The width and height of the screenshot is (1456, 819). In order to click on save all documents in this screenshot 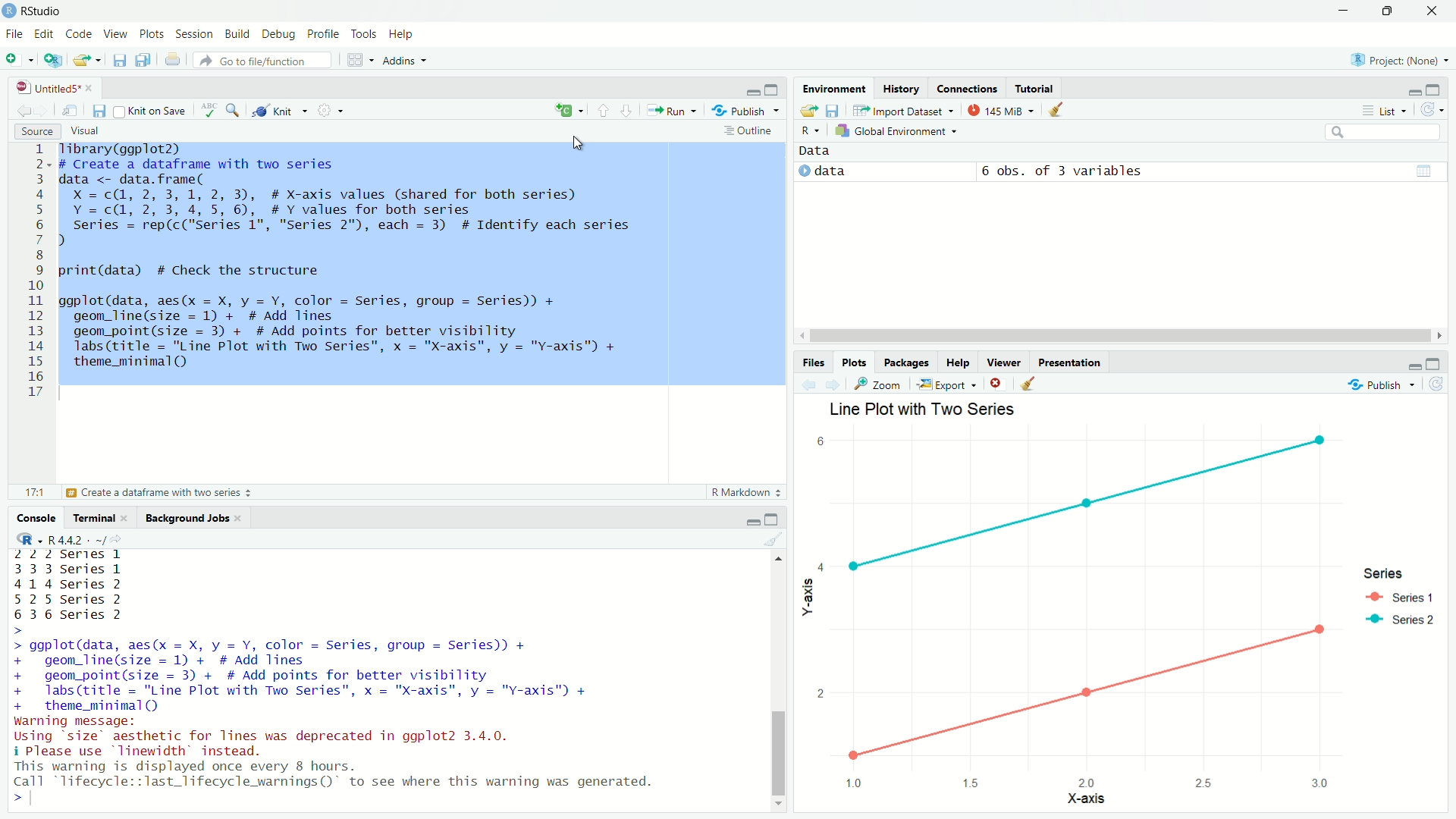, I will do `click(142, 60)`.